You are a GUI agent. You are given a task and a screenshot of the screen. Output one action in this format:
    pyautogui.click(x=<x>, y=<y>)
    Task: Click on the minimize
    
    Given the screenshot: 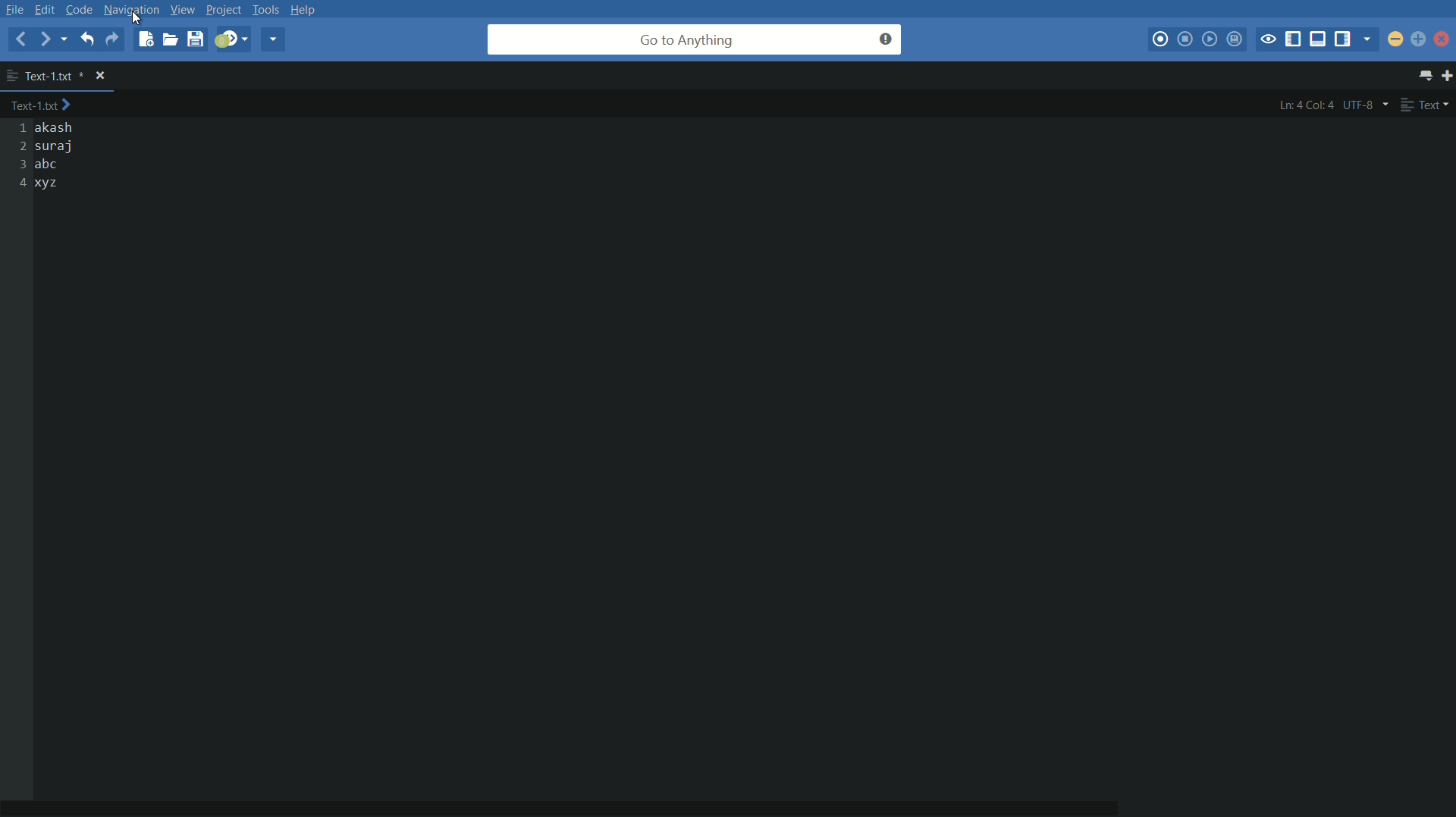 What is the action you would take?
    pyautogui.click(x=1396, y=39)
    